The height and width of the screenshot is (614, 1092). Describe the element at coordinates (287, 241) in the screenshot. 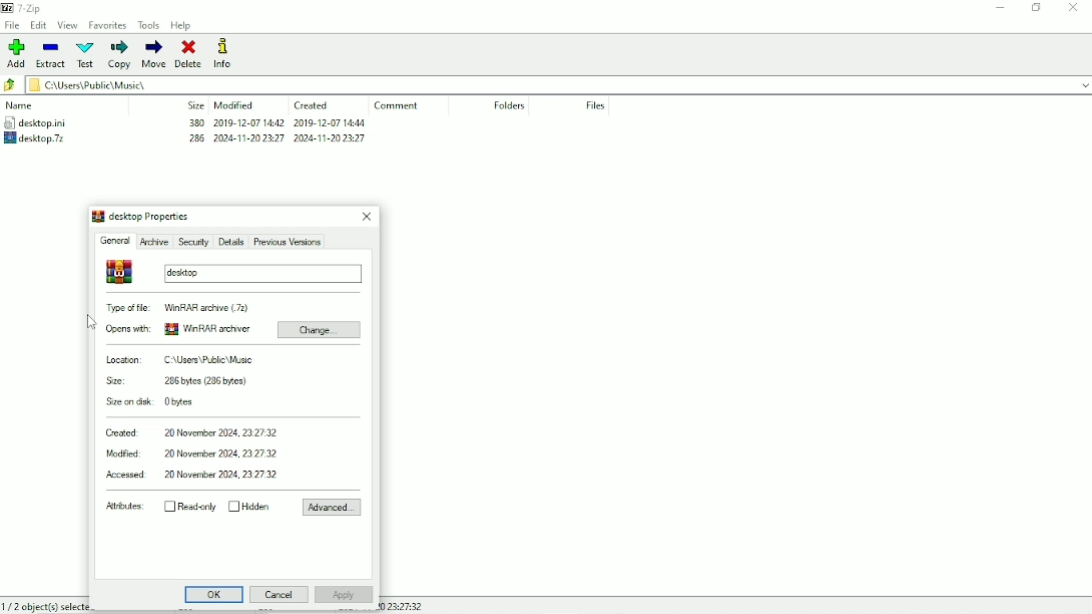

I see `Previous Versions` at that location.